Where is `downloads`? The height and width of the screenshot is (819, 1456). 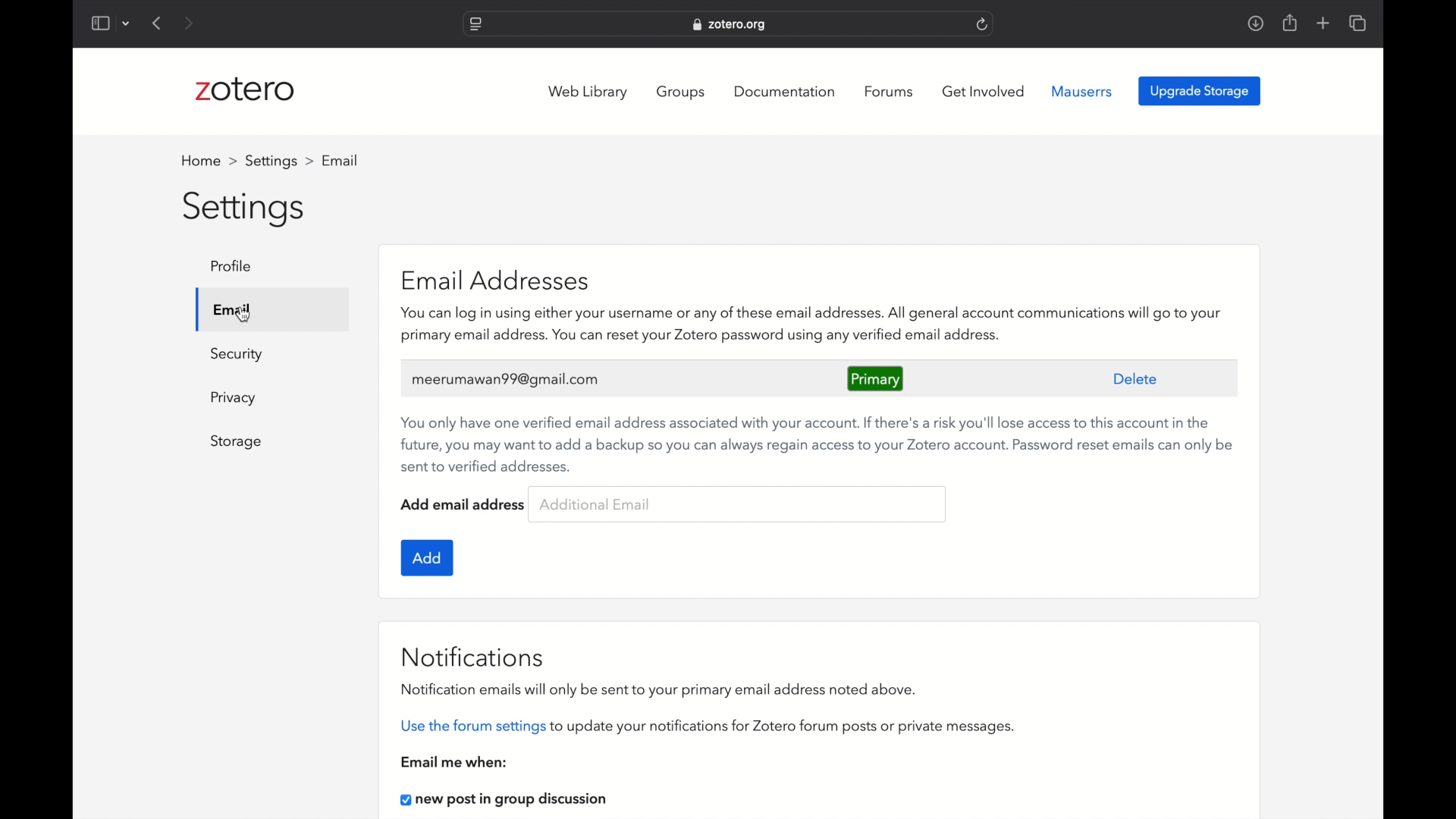
downloads is located at coordinates (1255, 23).